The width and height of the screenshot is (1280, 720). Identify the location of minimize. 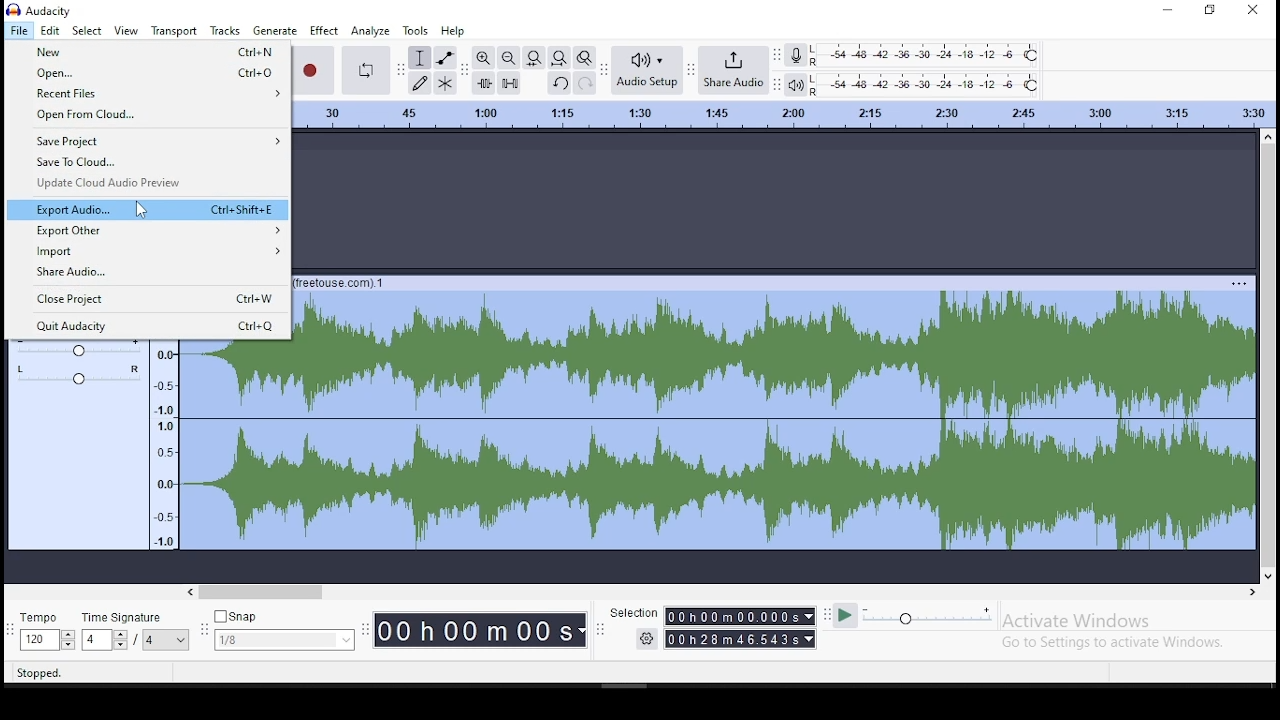
(1165, 10).